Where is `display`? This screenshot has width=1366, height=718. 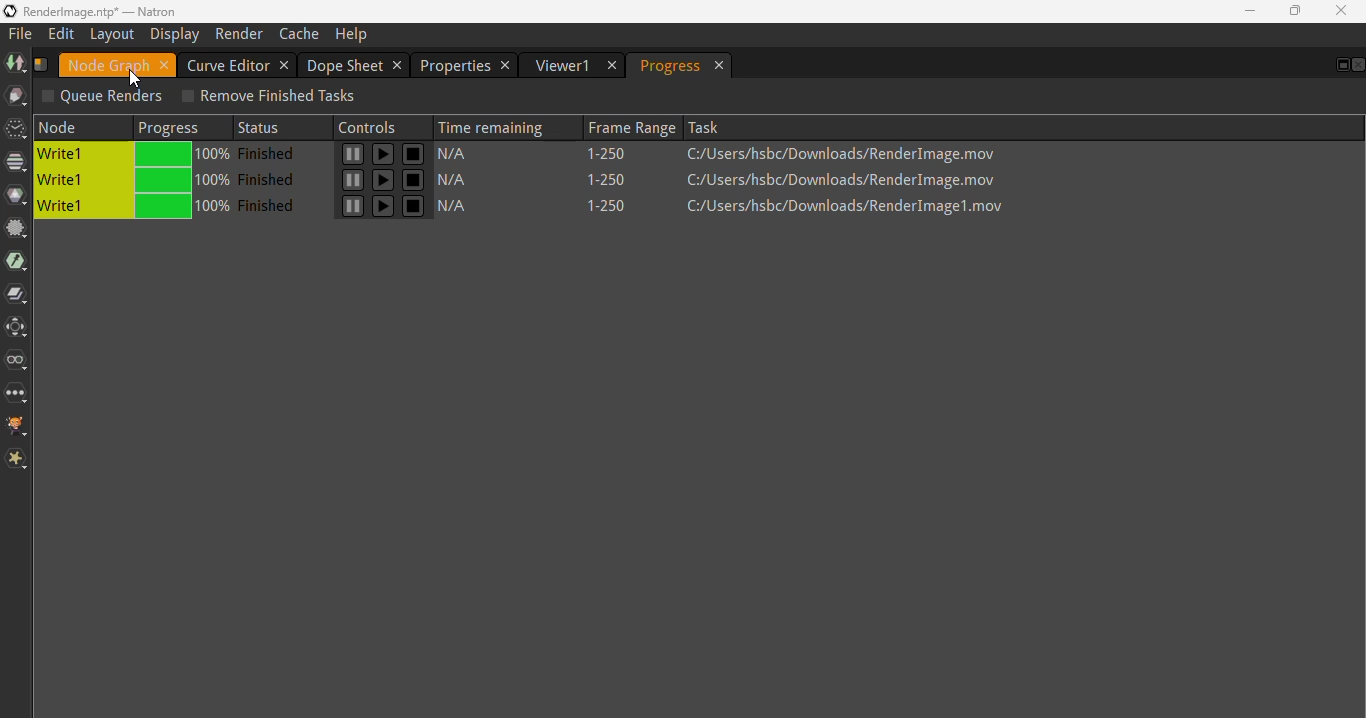 display is located at coordinates (176, 34).